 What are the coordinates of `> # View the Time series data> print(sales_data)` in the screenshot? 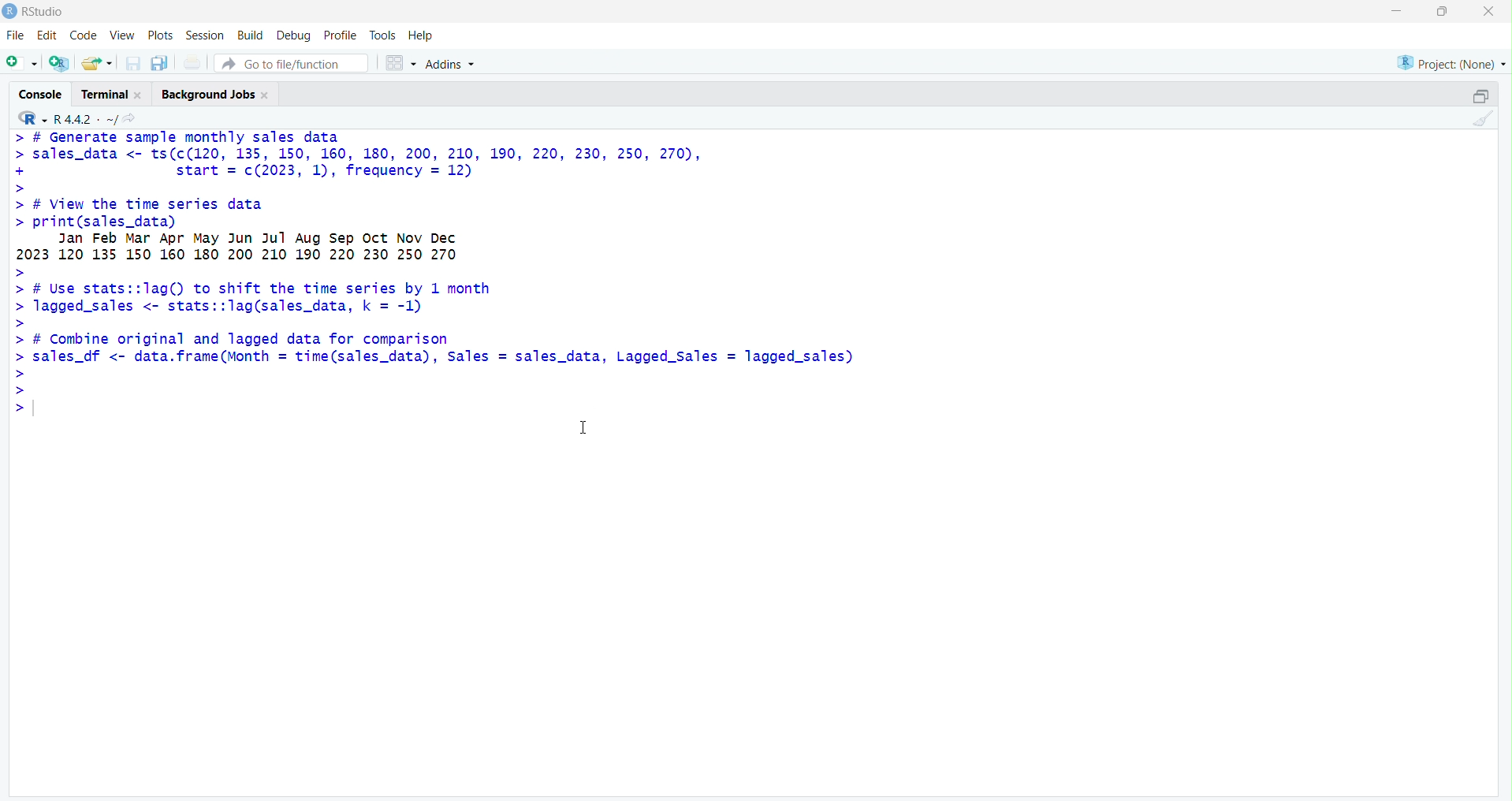 It's located at (296, 214).